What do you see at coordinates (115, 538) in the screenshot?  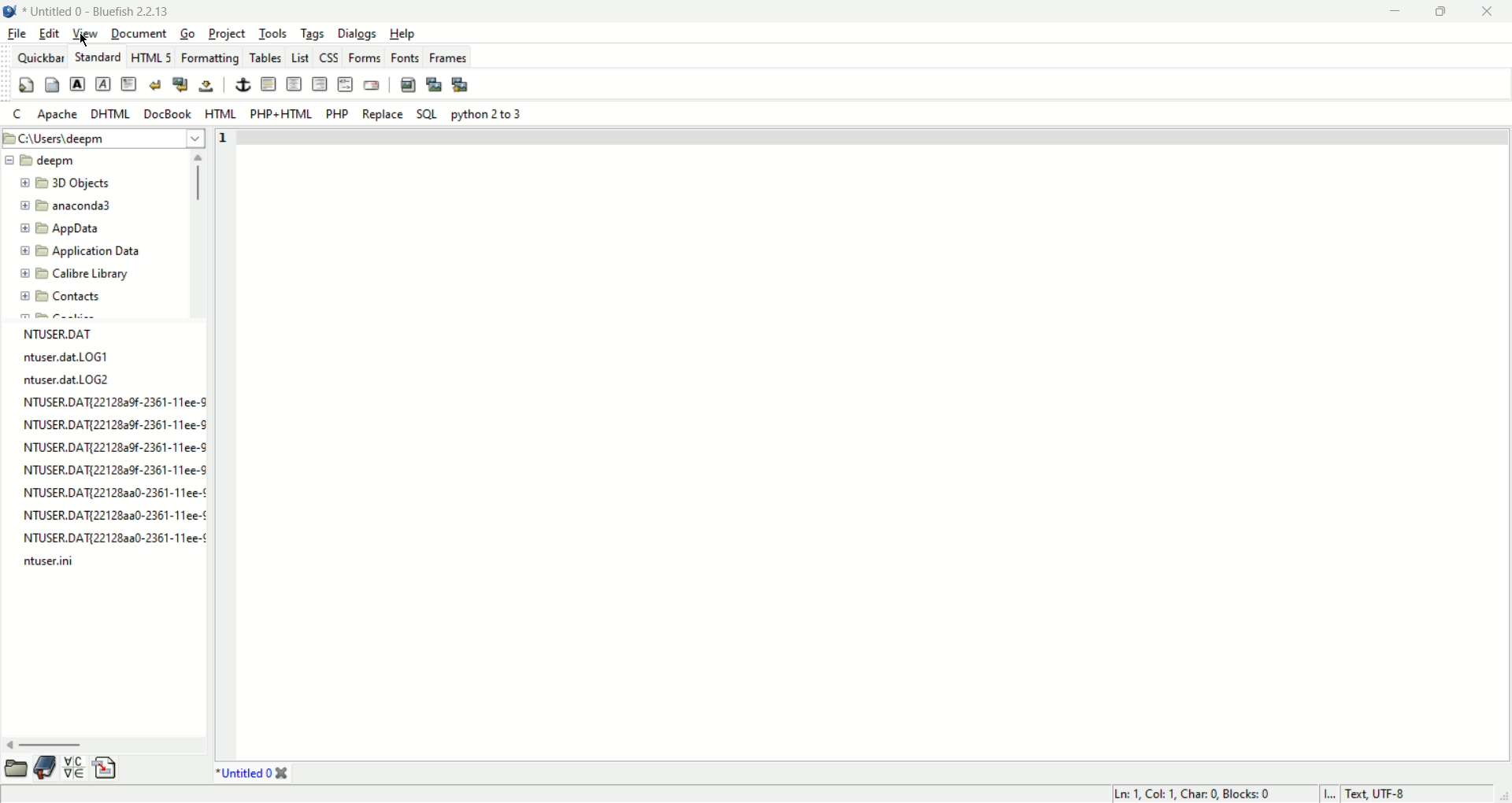 I see `NTUSER.DAT{221282a0-2361-11ee-¢` at bounding box center [115, 538].